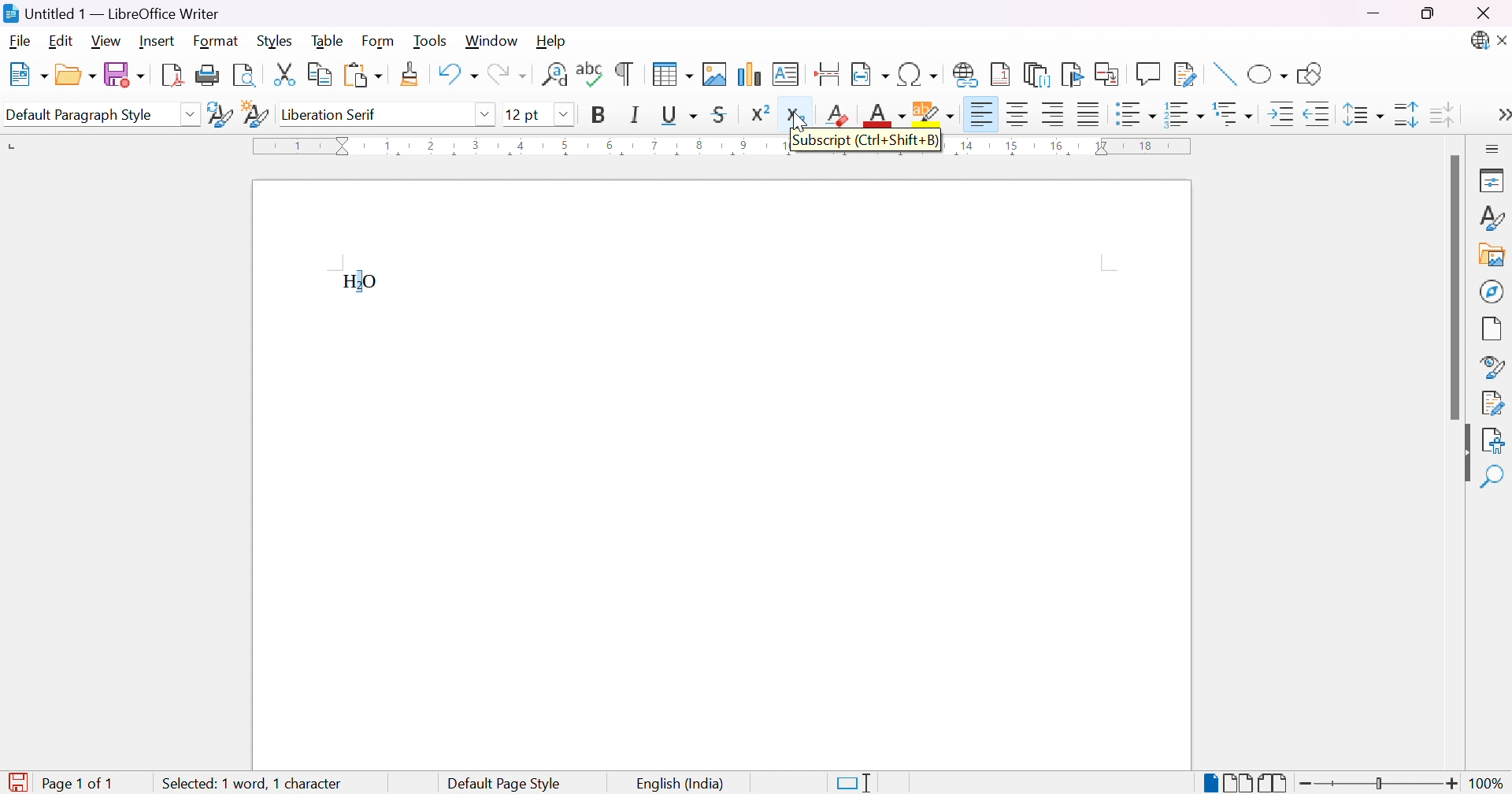  I want to click on Underline, so click(678, 114).